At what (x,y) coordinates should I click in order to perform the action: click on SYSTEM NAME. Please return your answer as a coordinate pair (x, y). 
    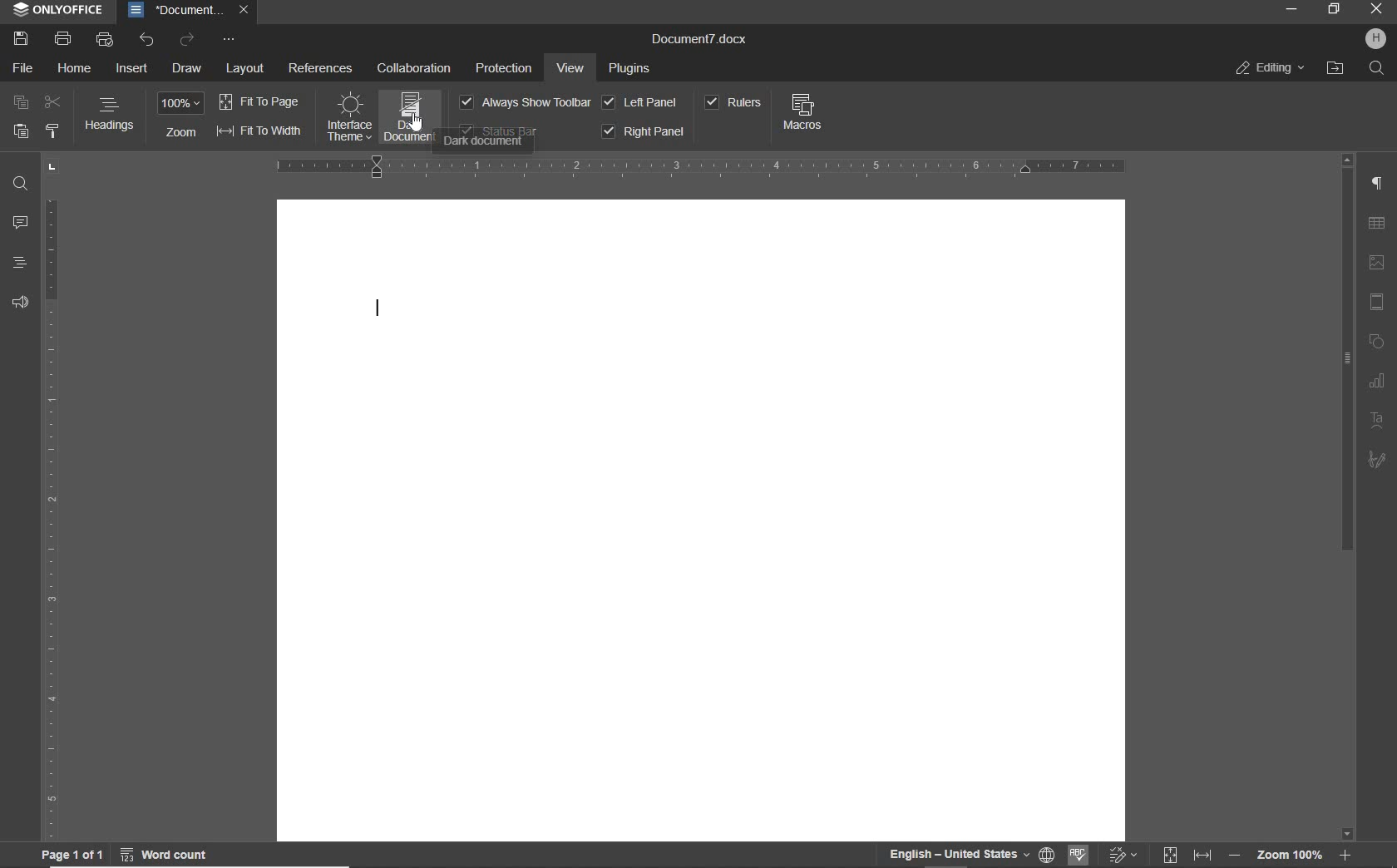
    Looking at the image, I should click on (55, 12).